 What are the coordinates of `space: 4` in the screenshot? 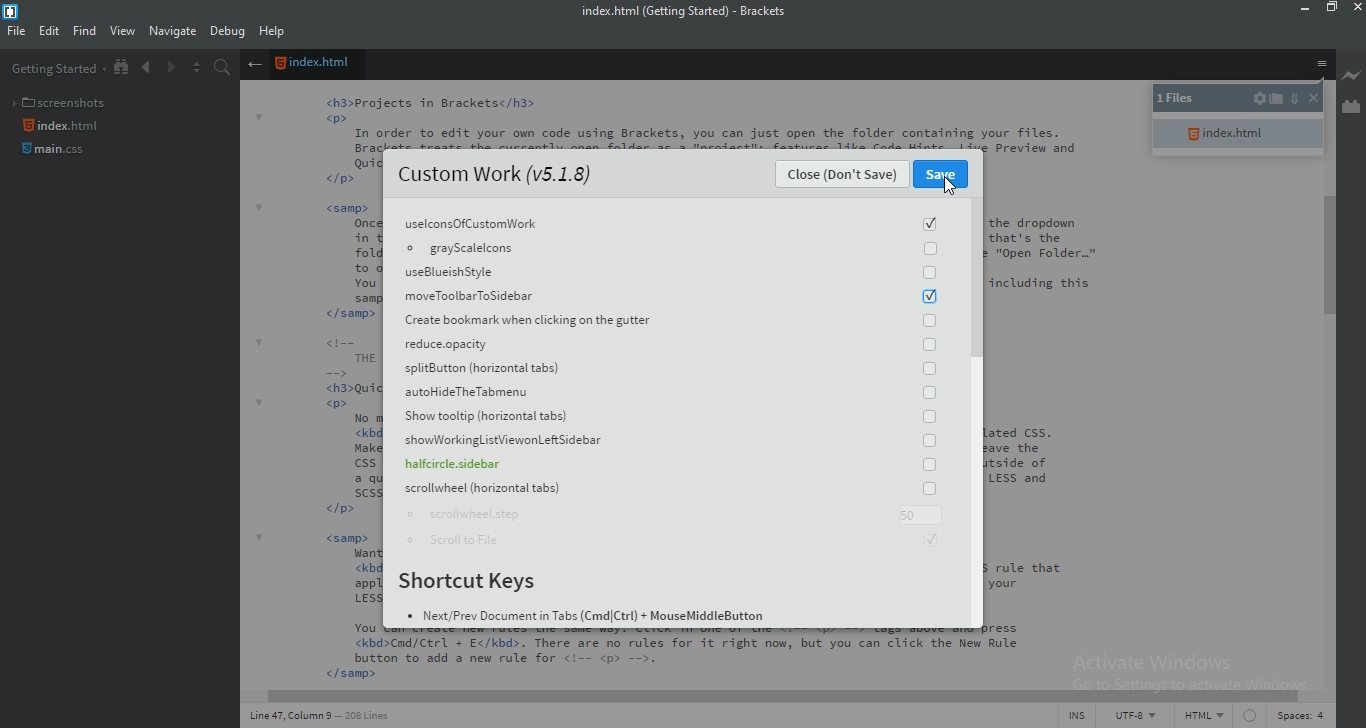 It's located at (1298, 718).